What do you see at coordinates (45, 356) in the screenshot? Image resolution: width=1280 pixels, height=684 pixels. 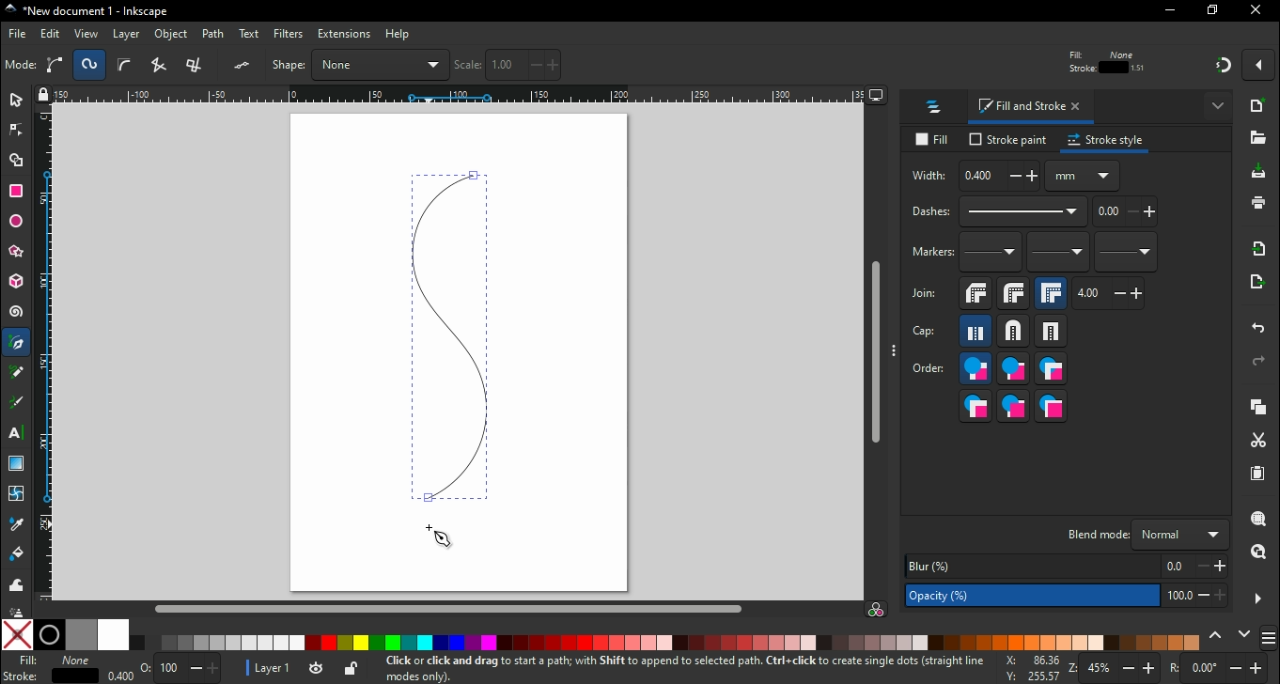 I see `vertical ruler` at bounding box center [45, 356].